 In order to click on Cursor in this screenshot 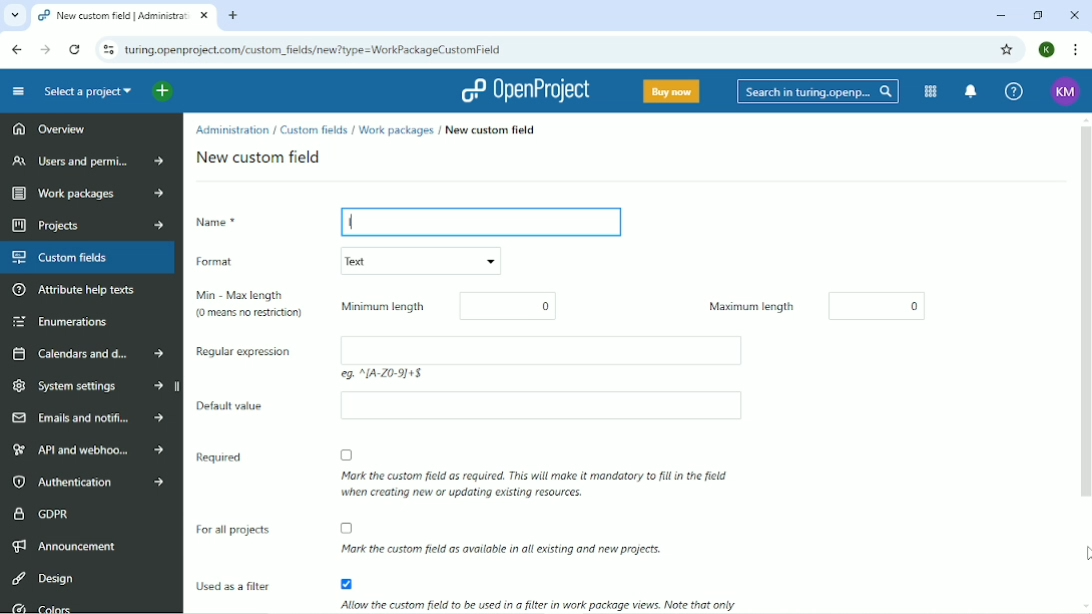, I will do `click(1085, 554)`.